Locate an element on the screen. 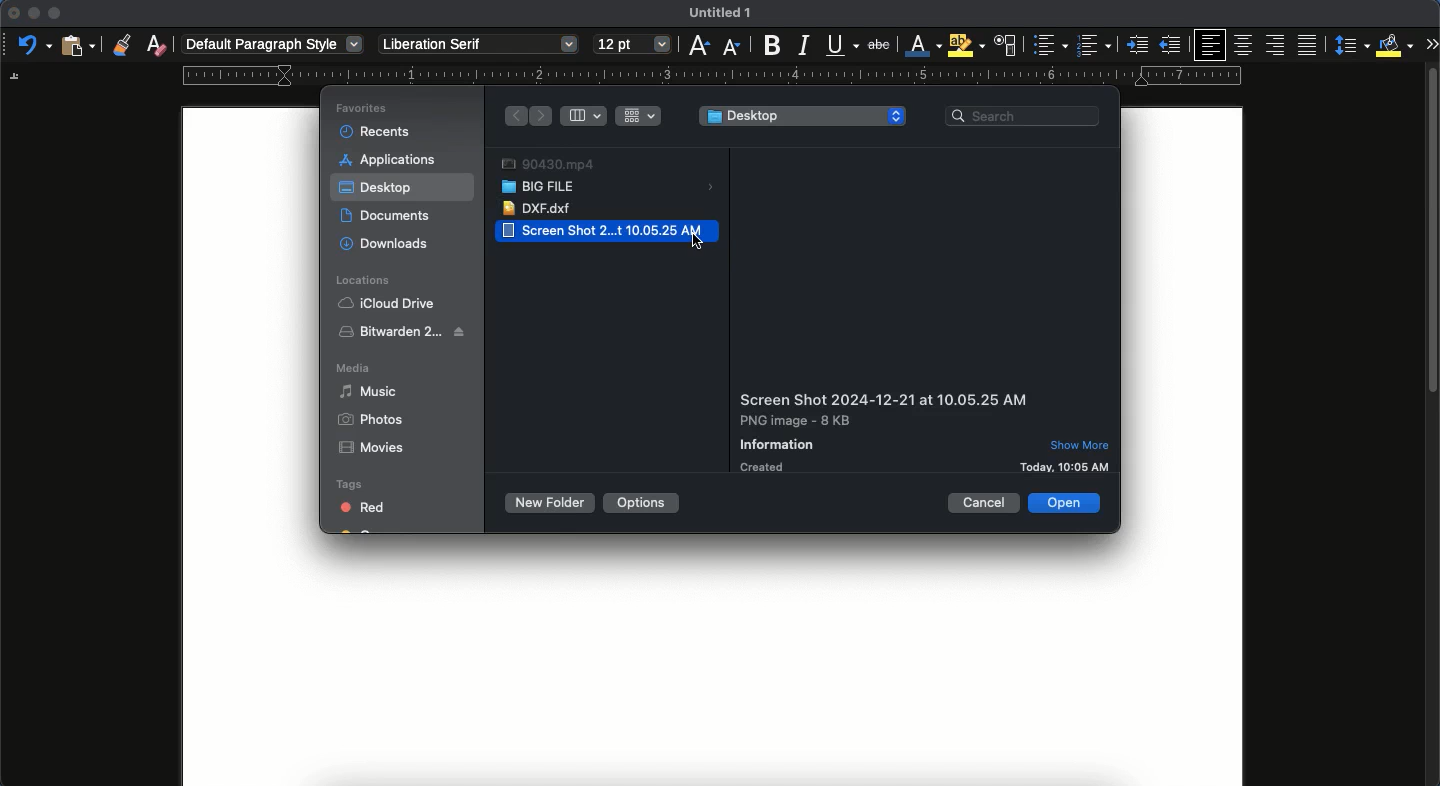 The height and width of the screenshot is (786, 1440). expand is located at coordinates (1426, 43).